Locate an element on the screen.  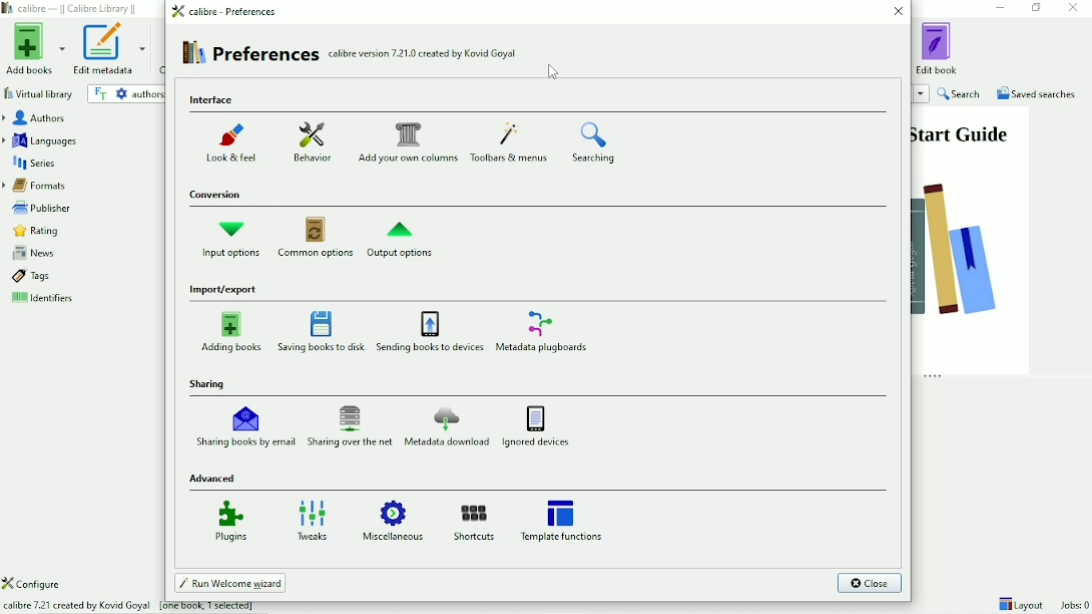
Behavior is located at coordinates (313, 139).